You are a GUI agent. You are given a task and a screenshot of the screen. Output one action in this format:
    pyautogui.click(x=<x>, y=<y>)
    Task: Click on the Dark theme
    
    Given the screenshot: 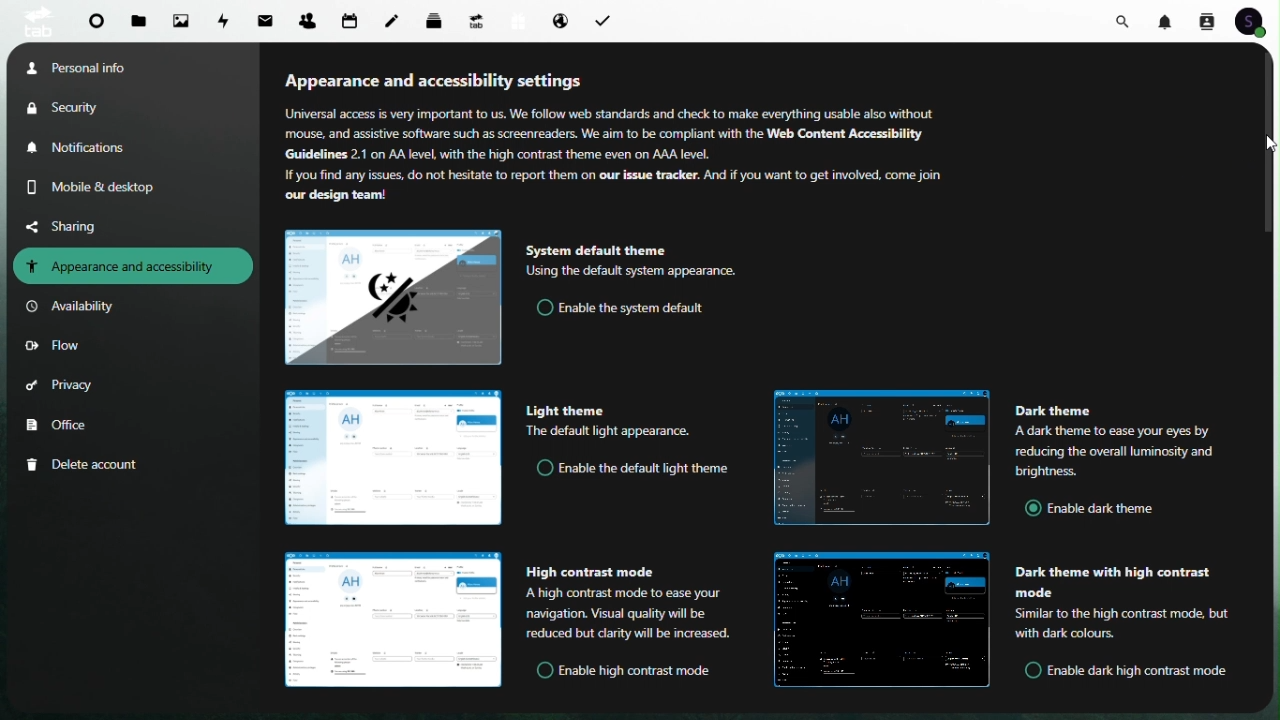 What is the action you would take?
    pyautogui.click(x=1054, y=411)
    